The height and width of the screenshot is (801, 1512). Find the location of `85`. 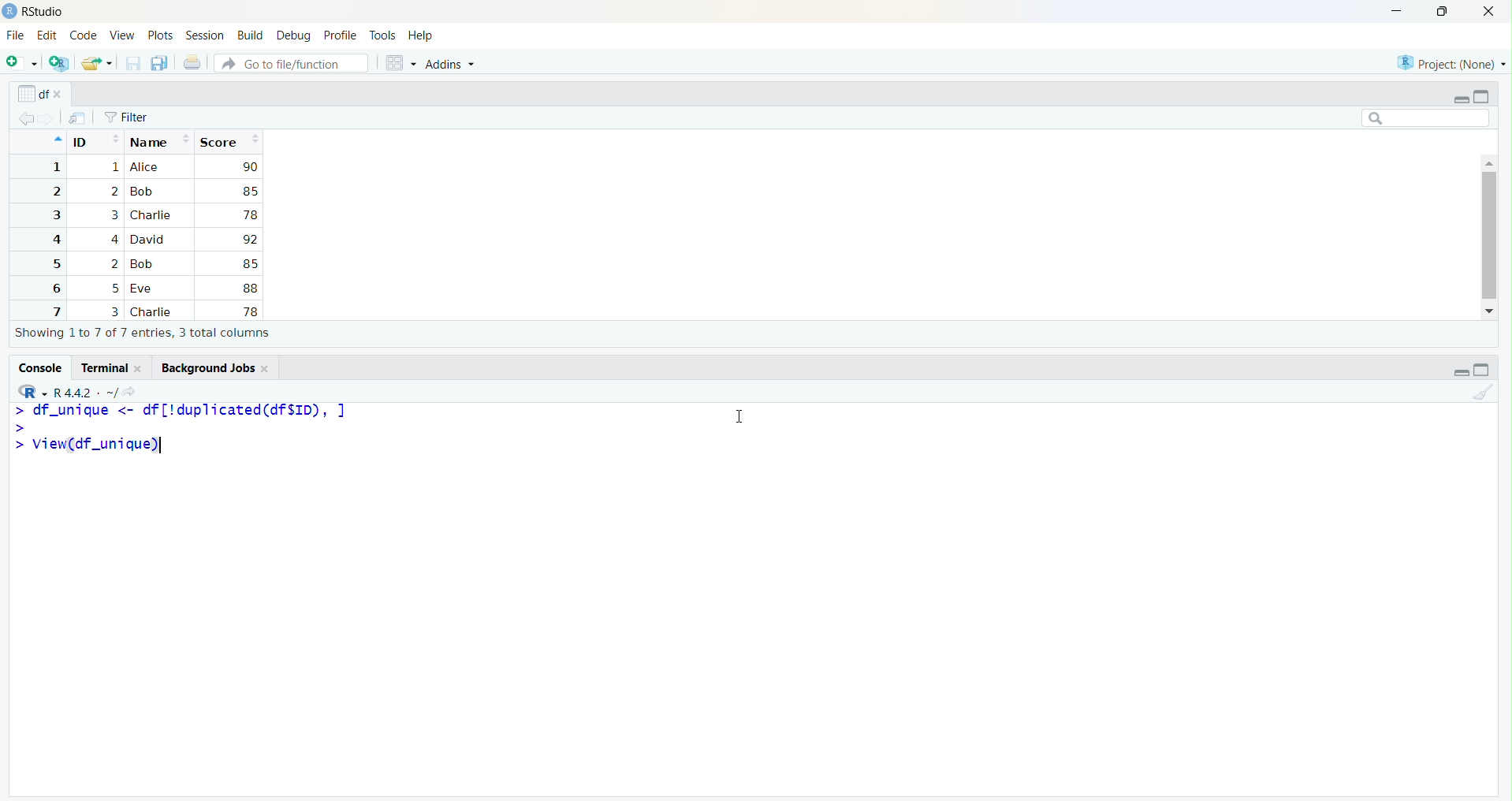

85 is located at coordinates (249, 263).